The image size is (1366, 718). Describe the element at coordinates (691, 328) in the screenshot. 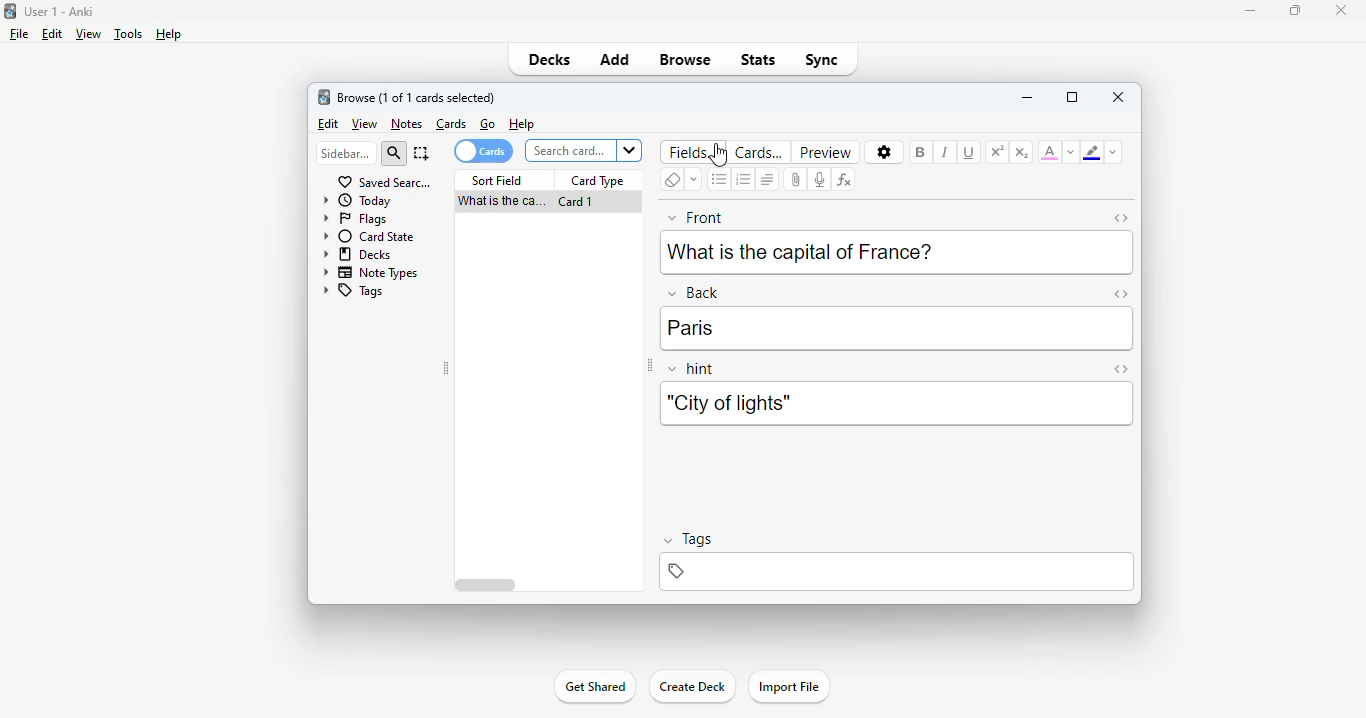

I see `paris` at that location.